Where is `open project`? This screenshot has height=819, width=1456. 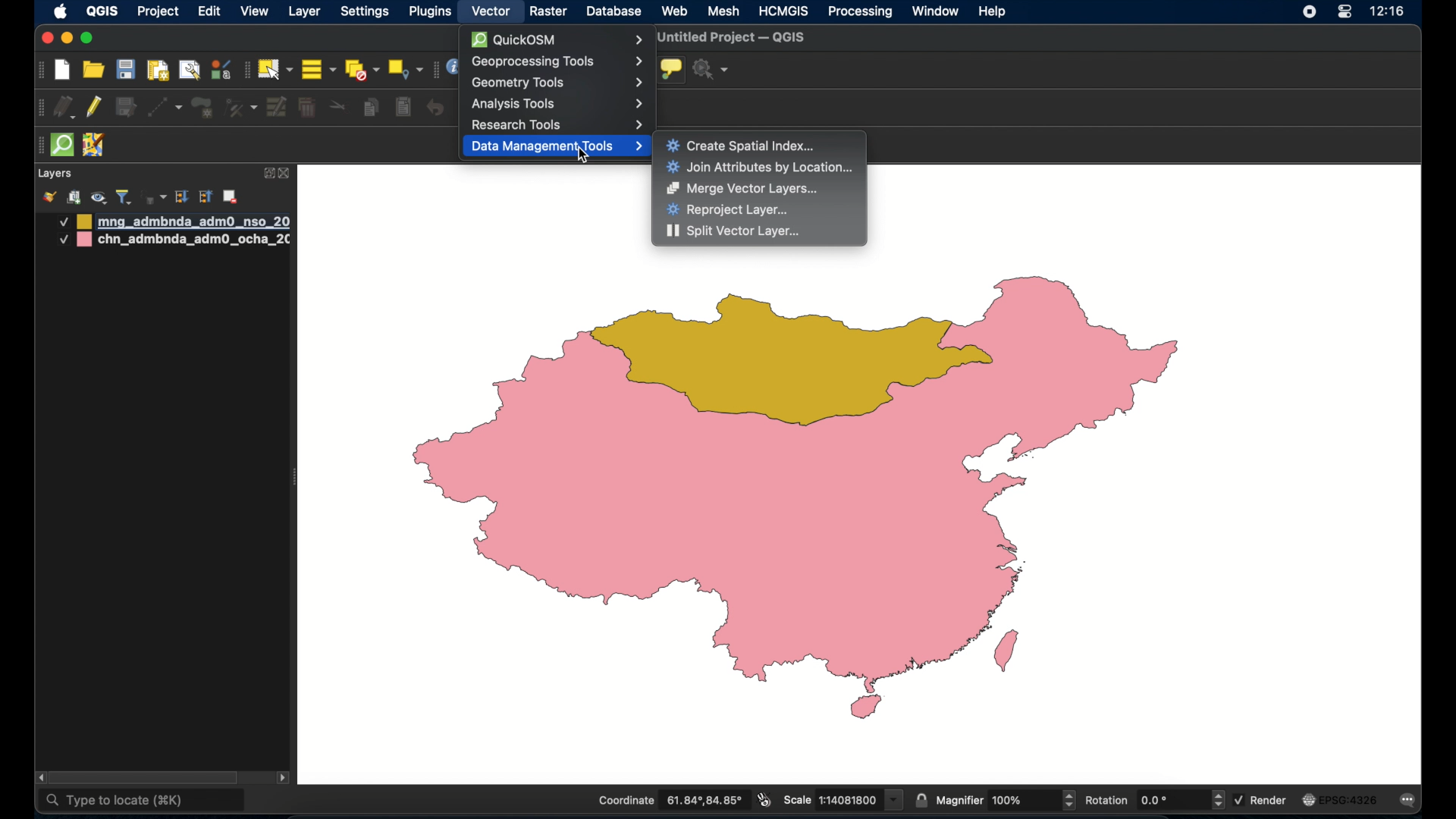 open project is located at coordinates (95, 71).